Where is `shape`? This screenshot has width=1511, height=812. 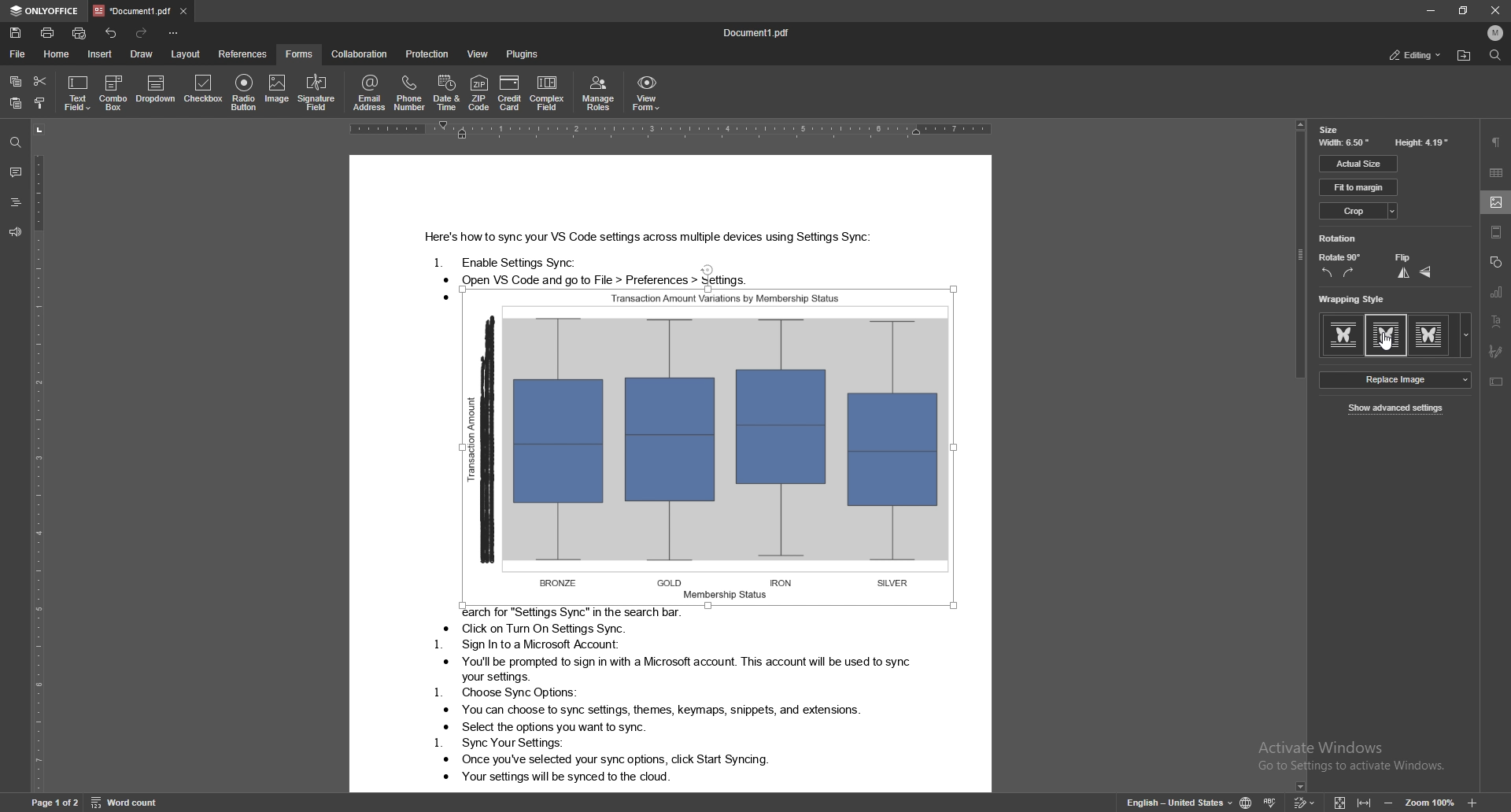 shape is located at coordinates (1496, 262).